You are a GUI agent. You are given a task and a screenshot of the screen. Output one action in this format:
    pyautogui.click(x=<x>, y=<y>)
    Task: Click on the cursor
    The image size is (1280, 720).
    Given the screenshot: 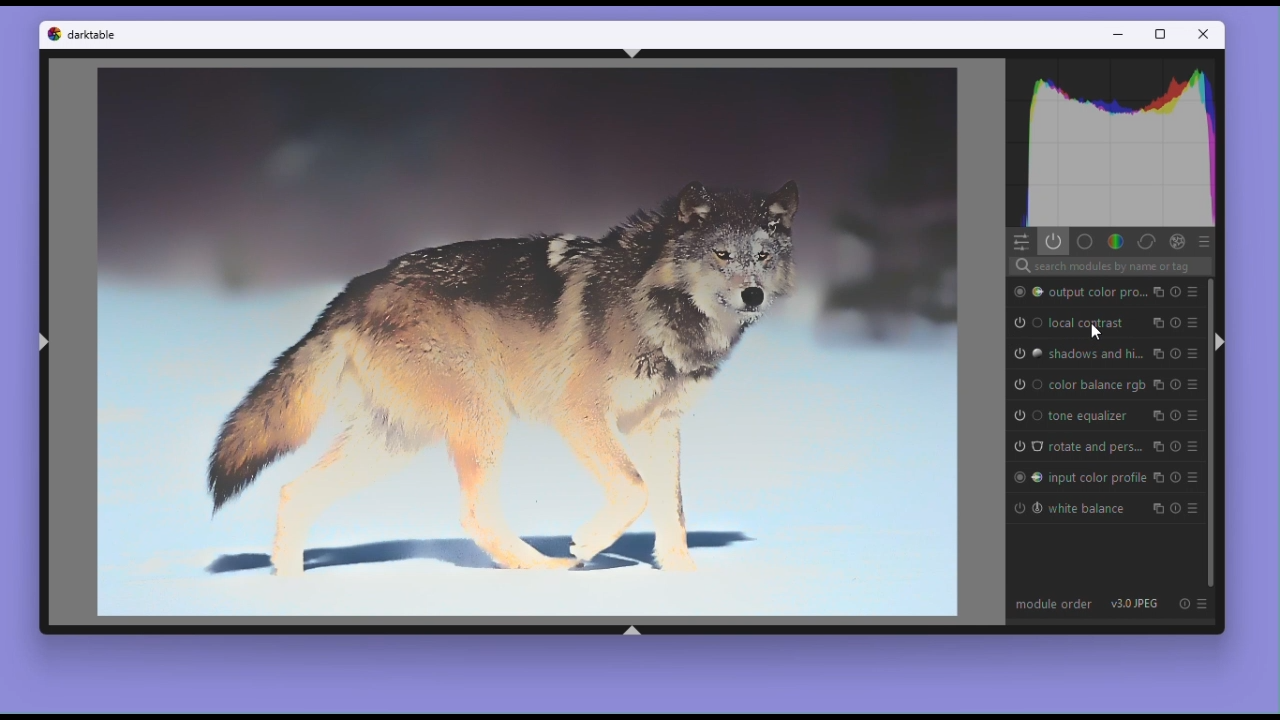 What is the action you would take?
    pyautogui.click(x=1095, y=335)
    